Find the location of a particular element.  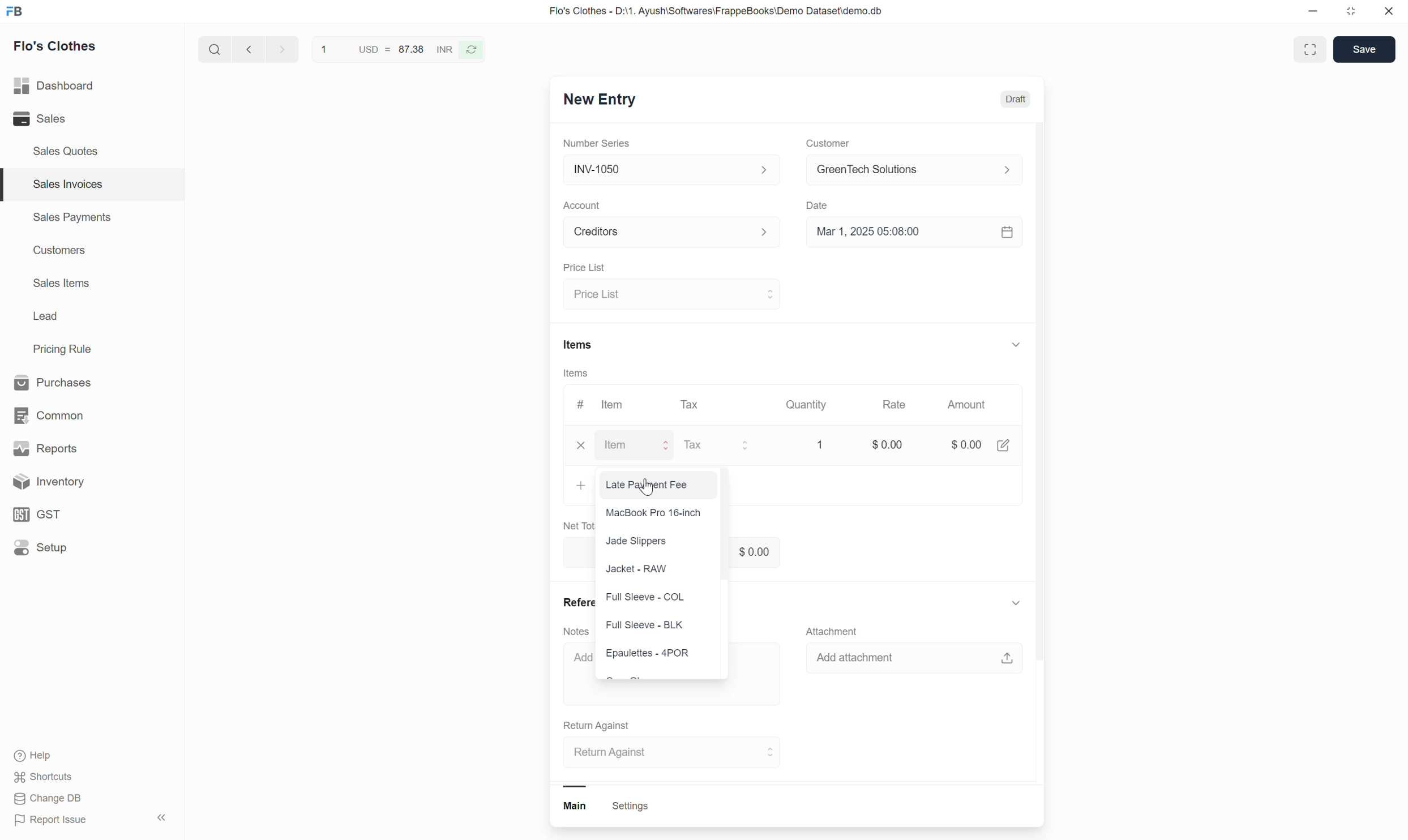

Change DB is located at coordinates (50, 800).